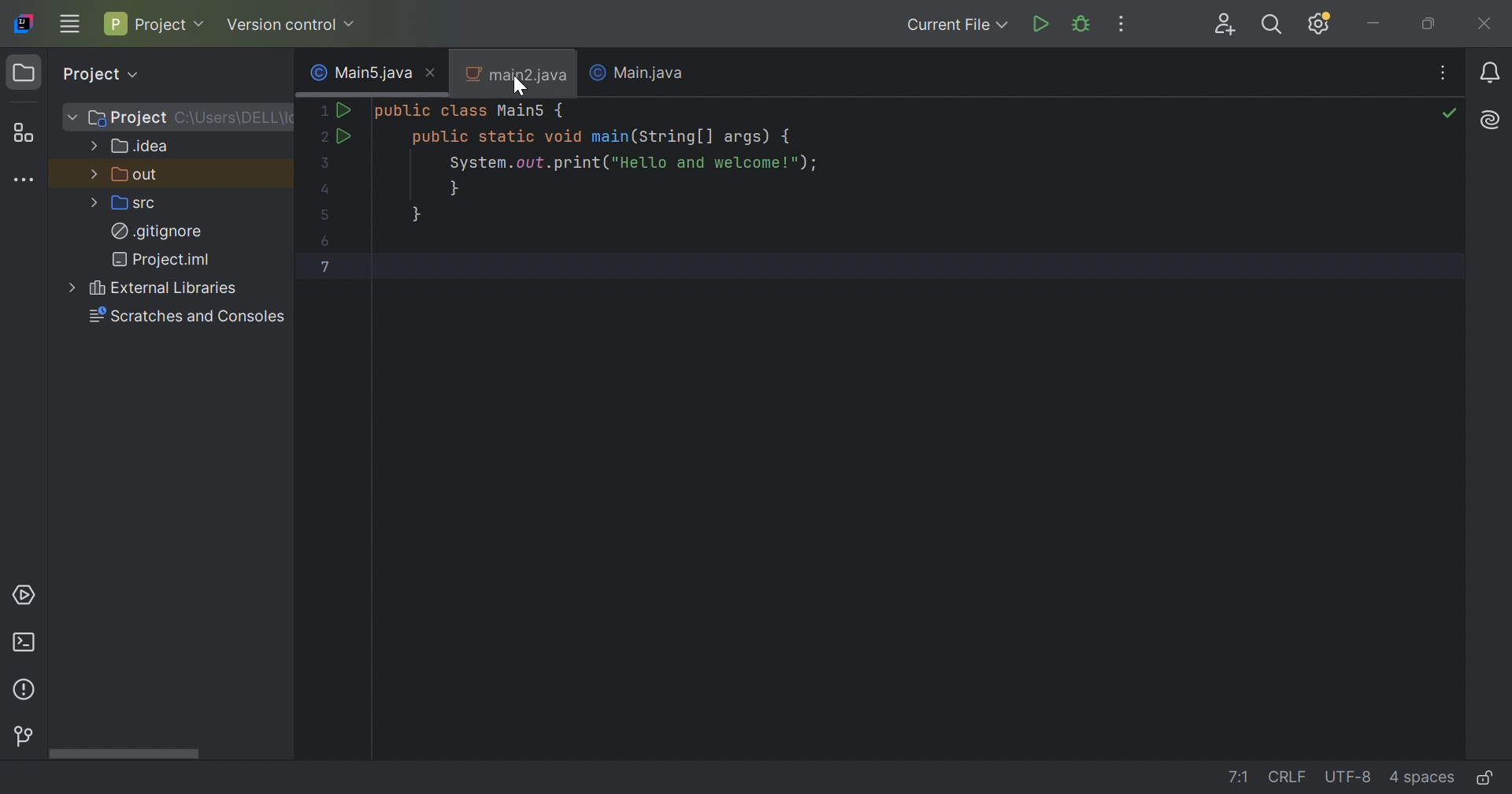 The width and height of the screenshot is (1512, 794). What do you see at coordinates (232, 118) in the screenshot?
I see `C:\Users\Users\DELL\` at bounding box center [232, 118].